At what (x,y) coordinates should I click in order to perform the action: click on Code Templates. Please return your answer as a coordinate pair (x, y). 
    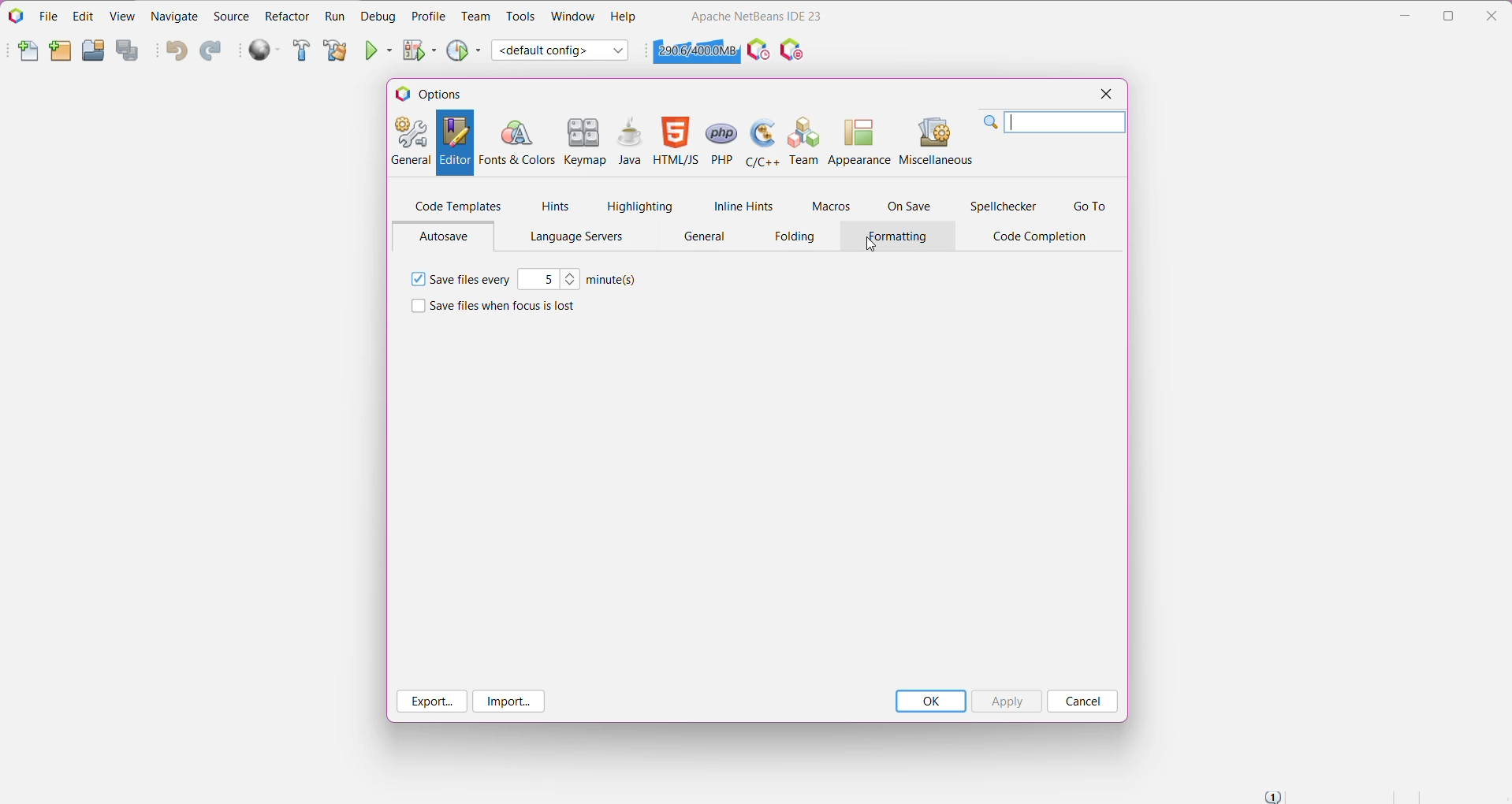
    Looking at the image, I should click on (458, 205).